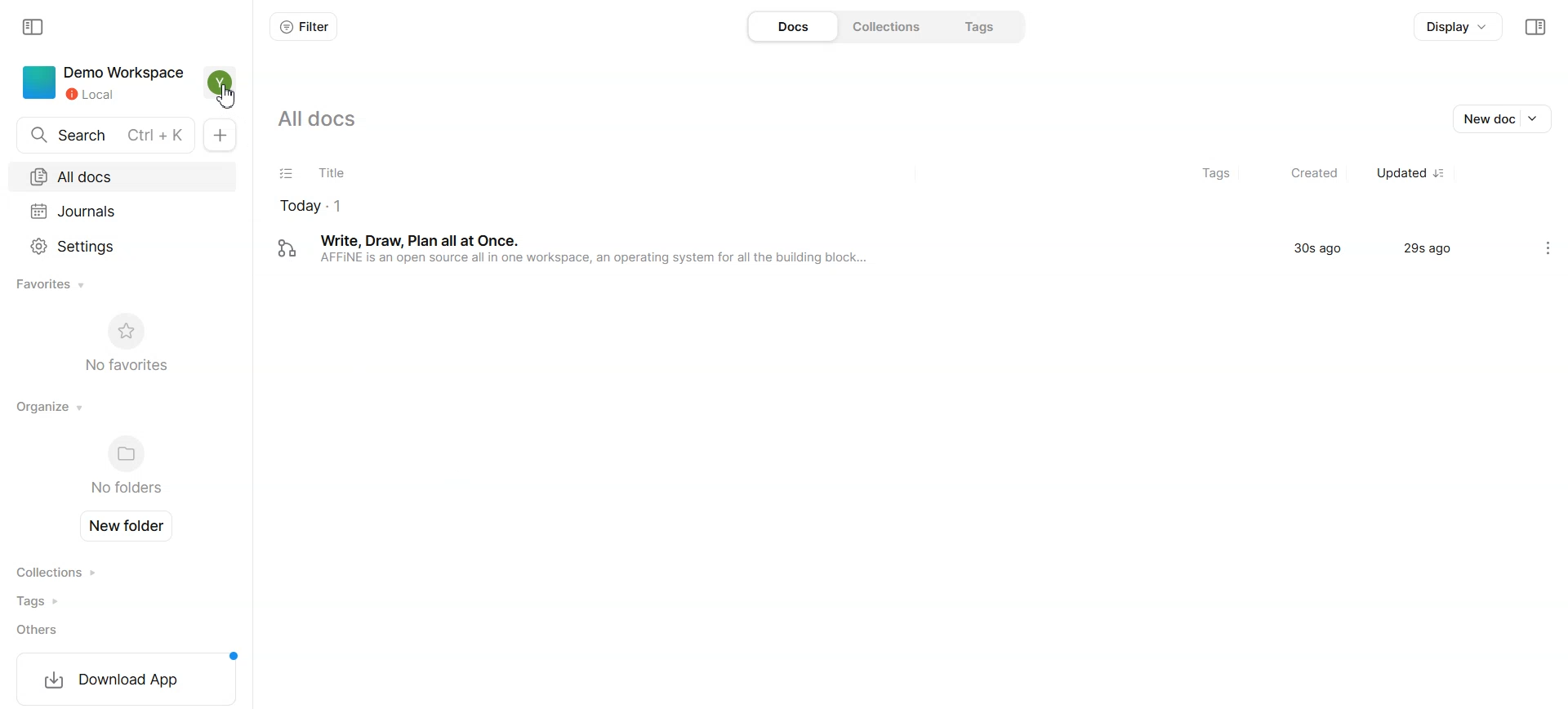 The image size is (1568, 709). I want to click on Collapse slide bar, so click(34, 28).